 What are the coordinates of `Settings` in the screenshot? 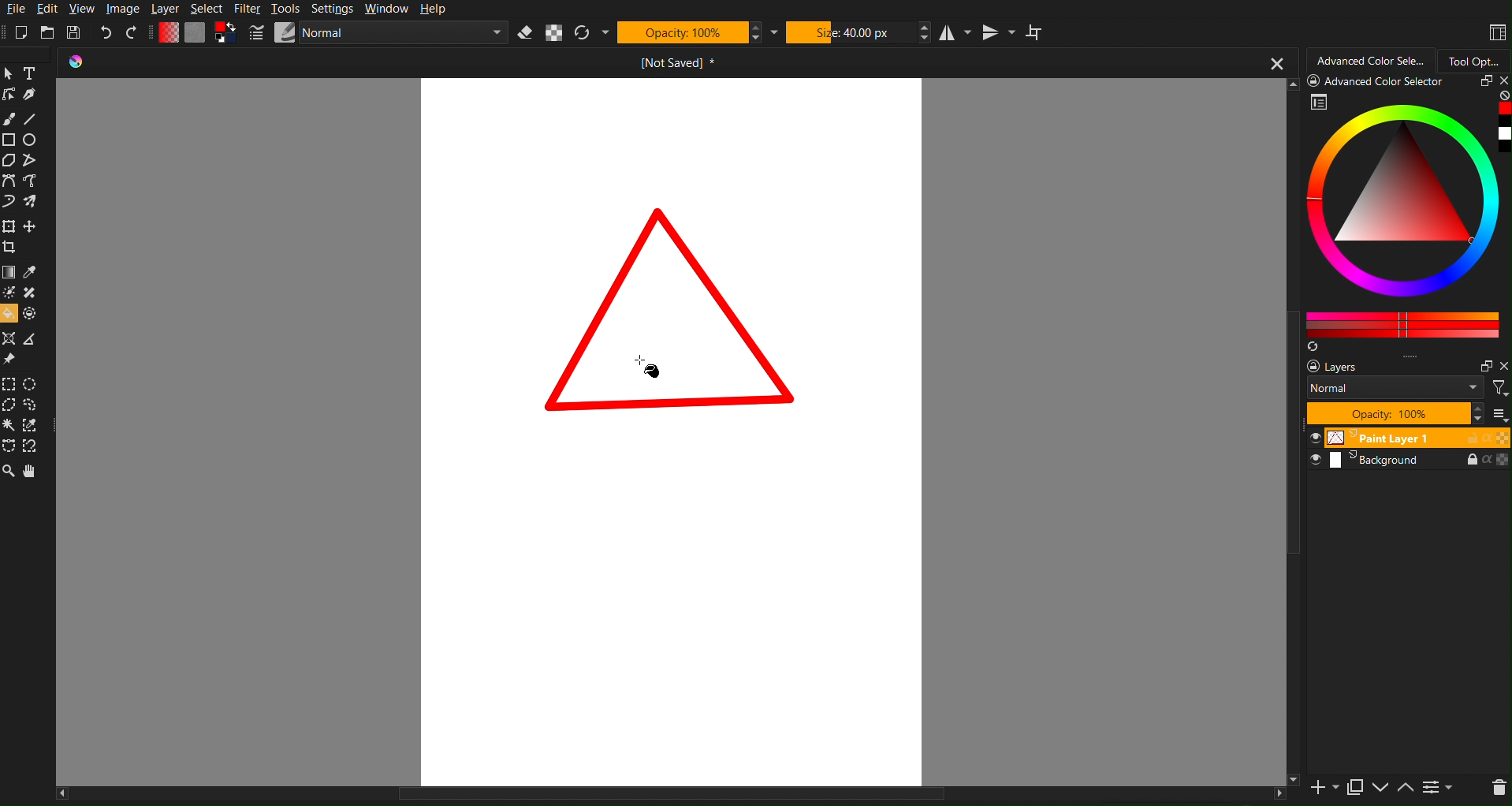 It's located at (333, 9).